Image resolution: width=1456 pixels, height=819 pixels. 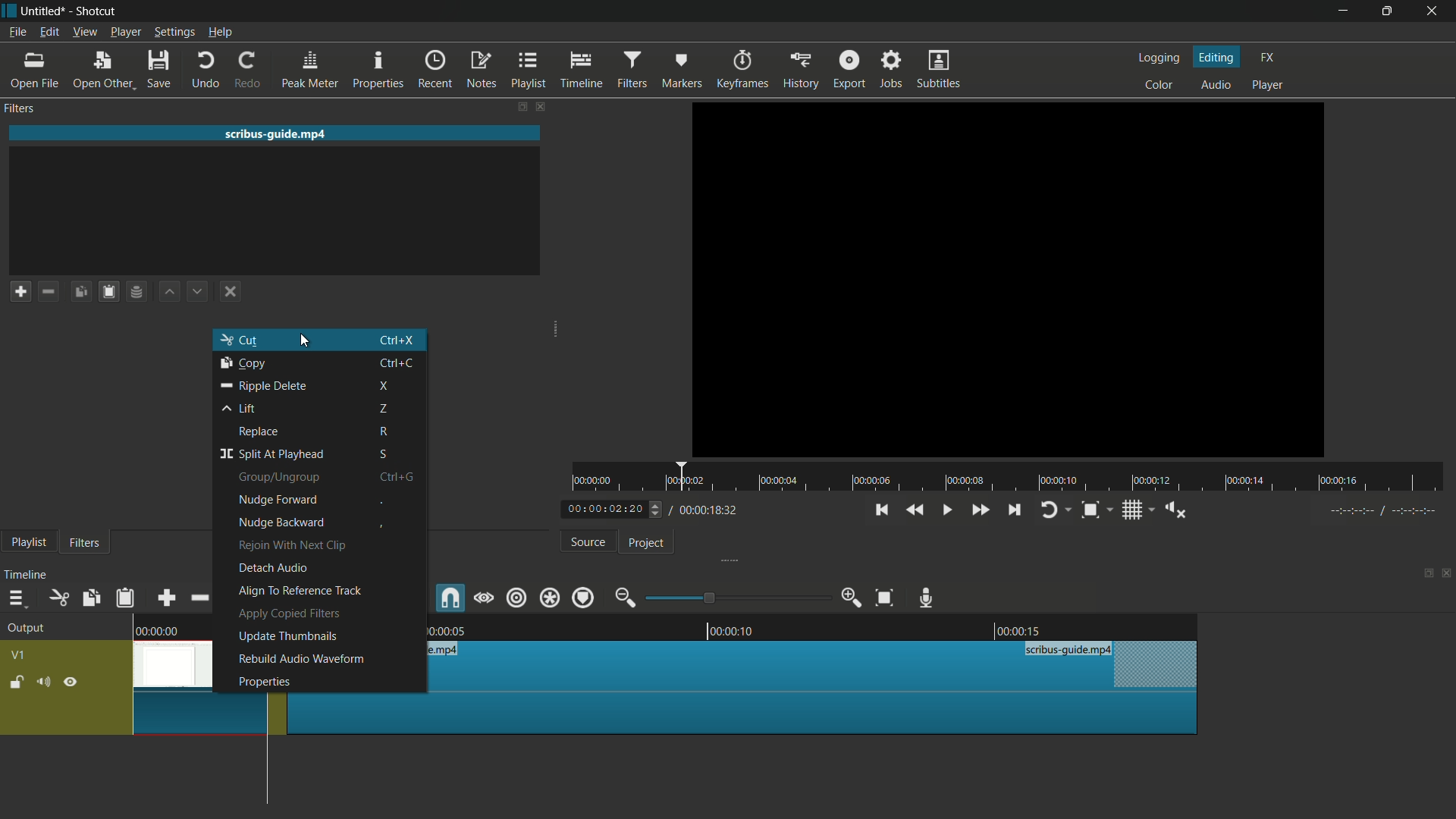 What do you see at coordinates (20, 291) in the screenshot?
I see `add a filter` at bounding box center [20, 291].